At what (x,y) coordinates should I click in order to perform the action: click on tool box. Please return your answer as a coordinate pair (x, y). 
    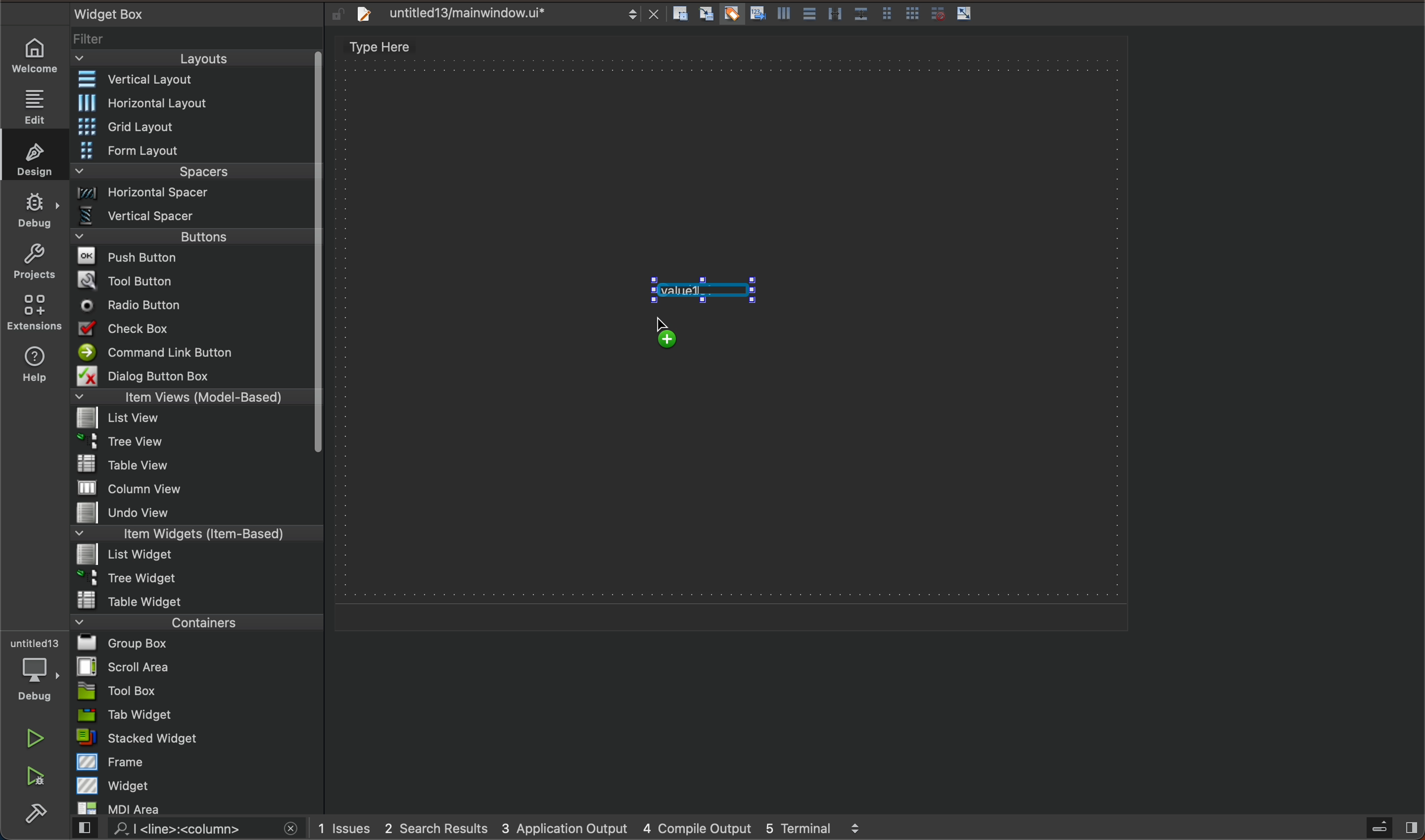
    Looking at the image, I should click on (197, 691).